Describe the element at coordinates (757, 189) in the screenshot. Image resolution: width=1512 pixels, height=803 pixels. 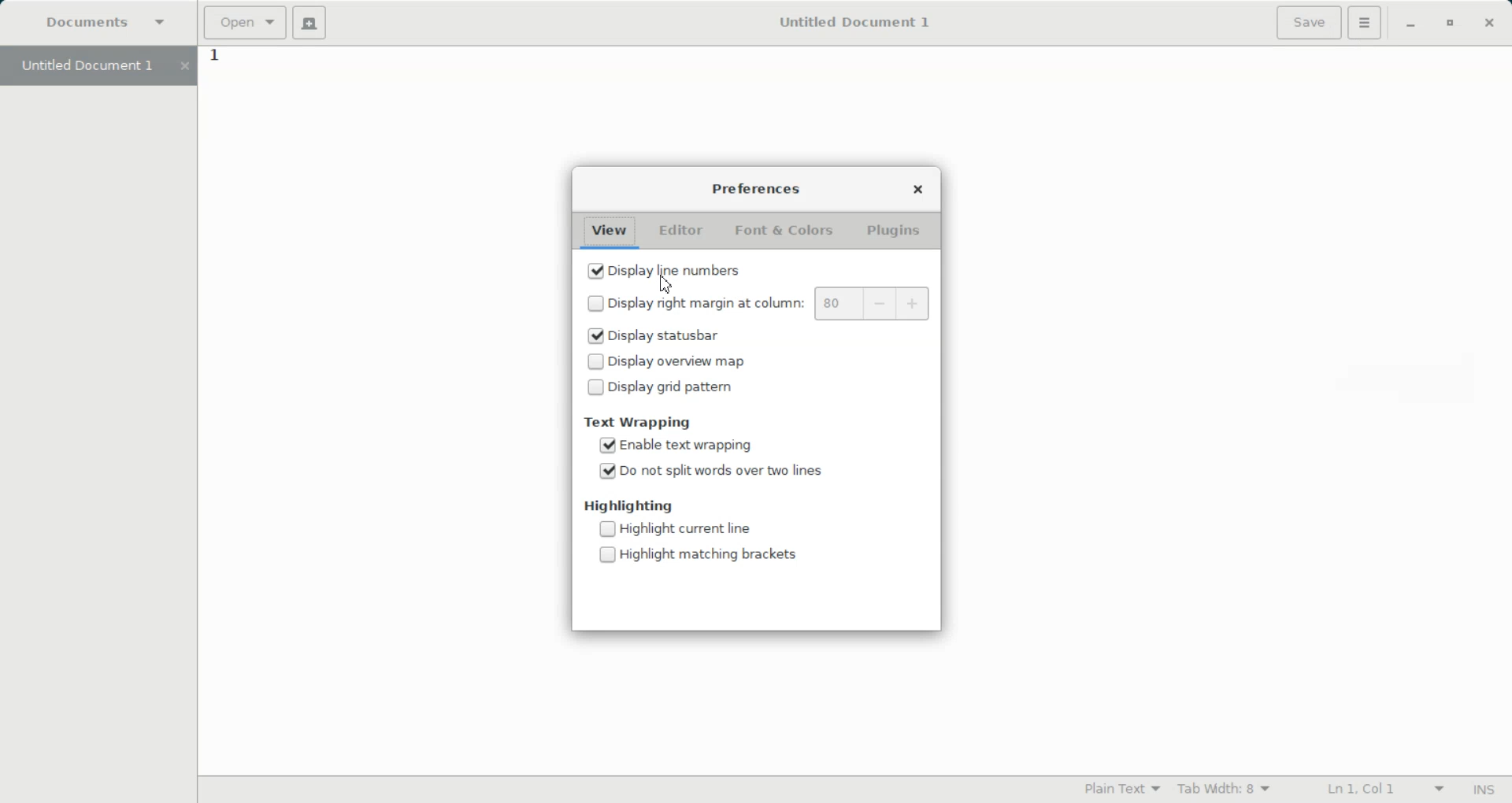
I see `Preferences` at that location.